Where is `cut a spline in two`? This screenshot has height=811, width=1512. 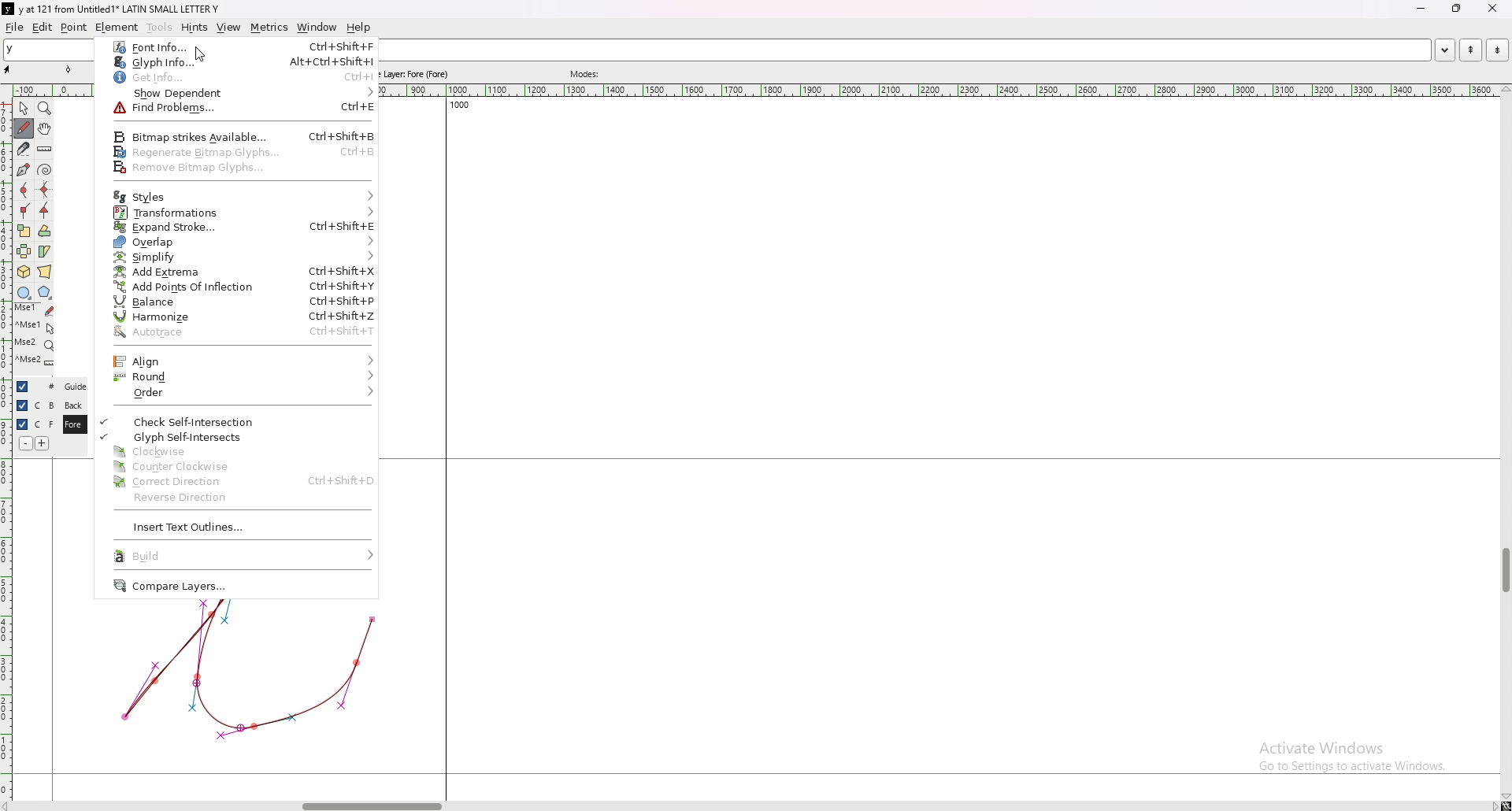
cut a spline in two is located at coordinates (22, 149).